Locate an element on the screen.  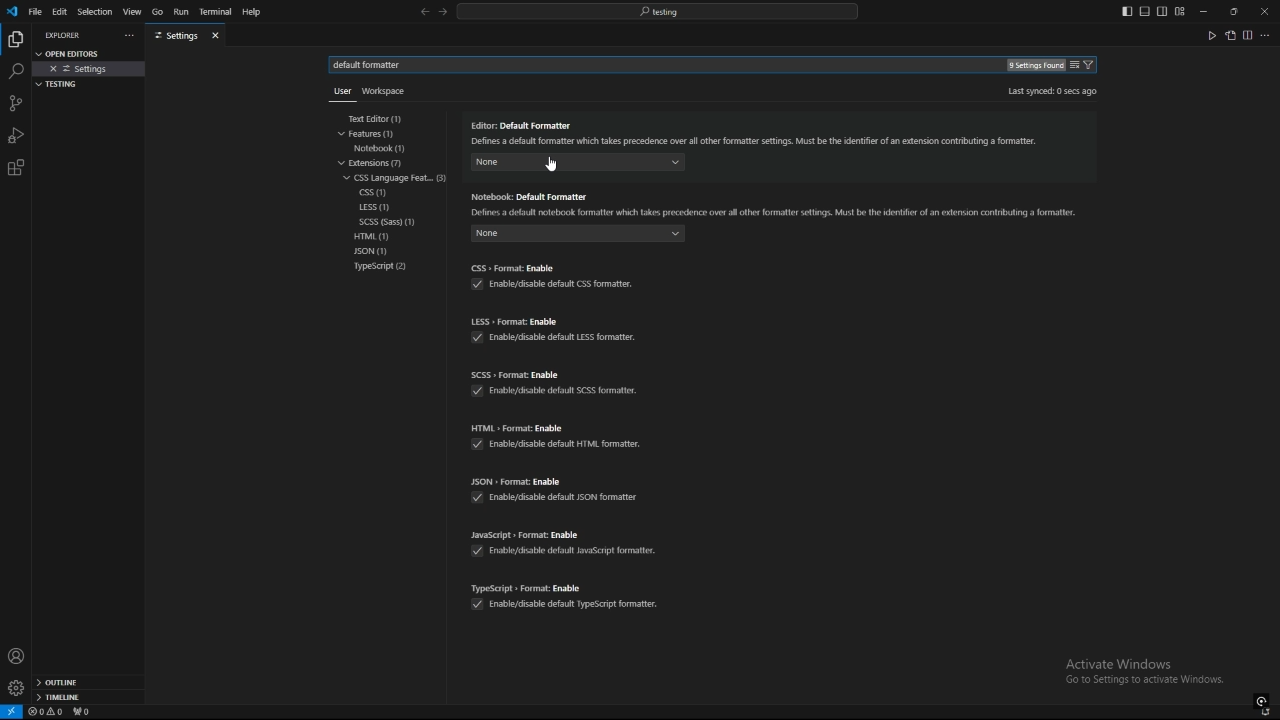
enable /disable default less formatter is located at coordinates (559, 340).